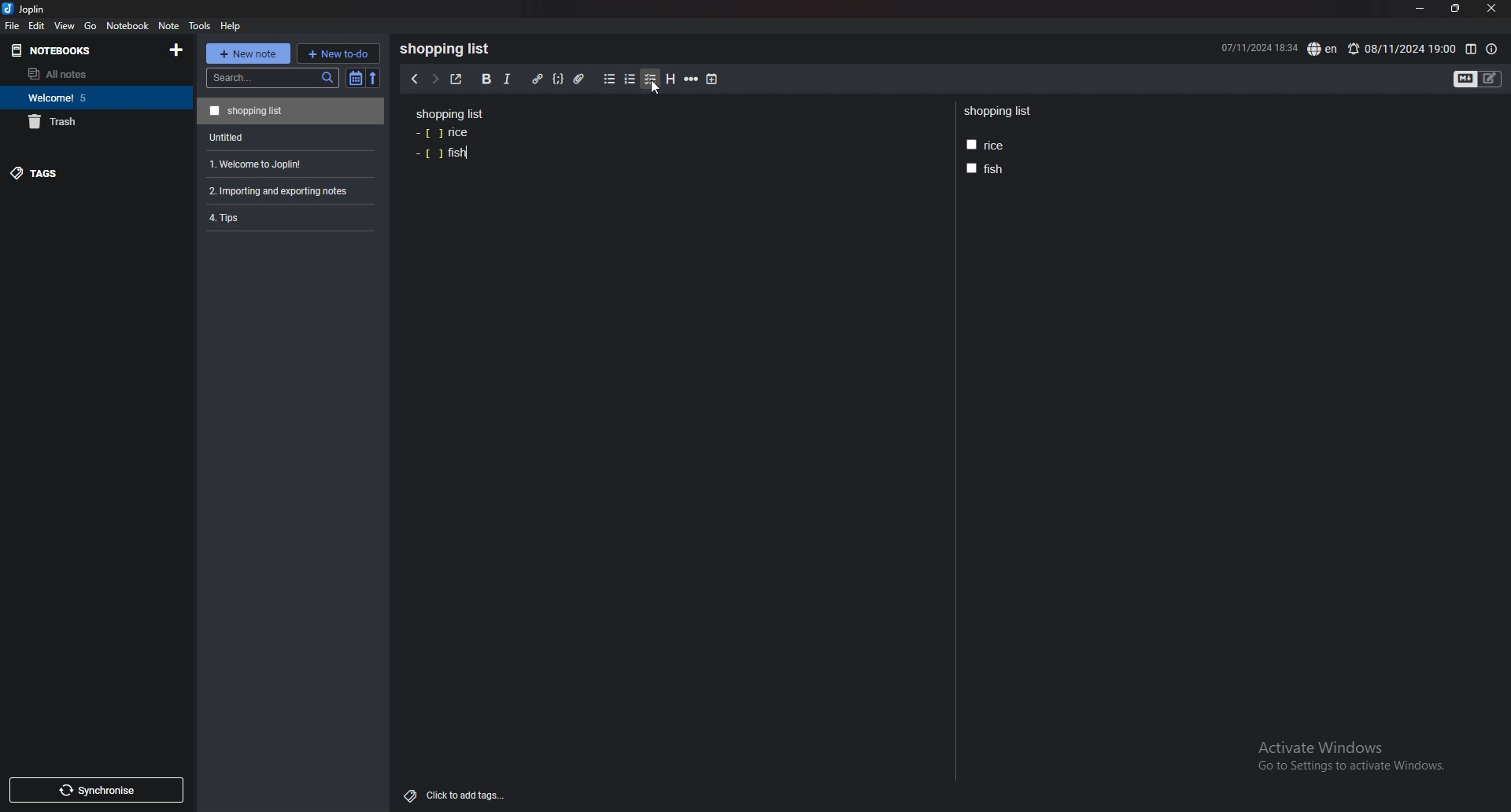  What do you see at coordinates (289, 217) in the screenshot?
I see `4.Tips.` at bounding box center [289, 217].